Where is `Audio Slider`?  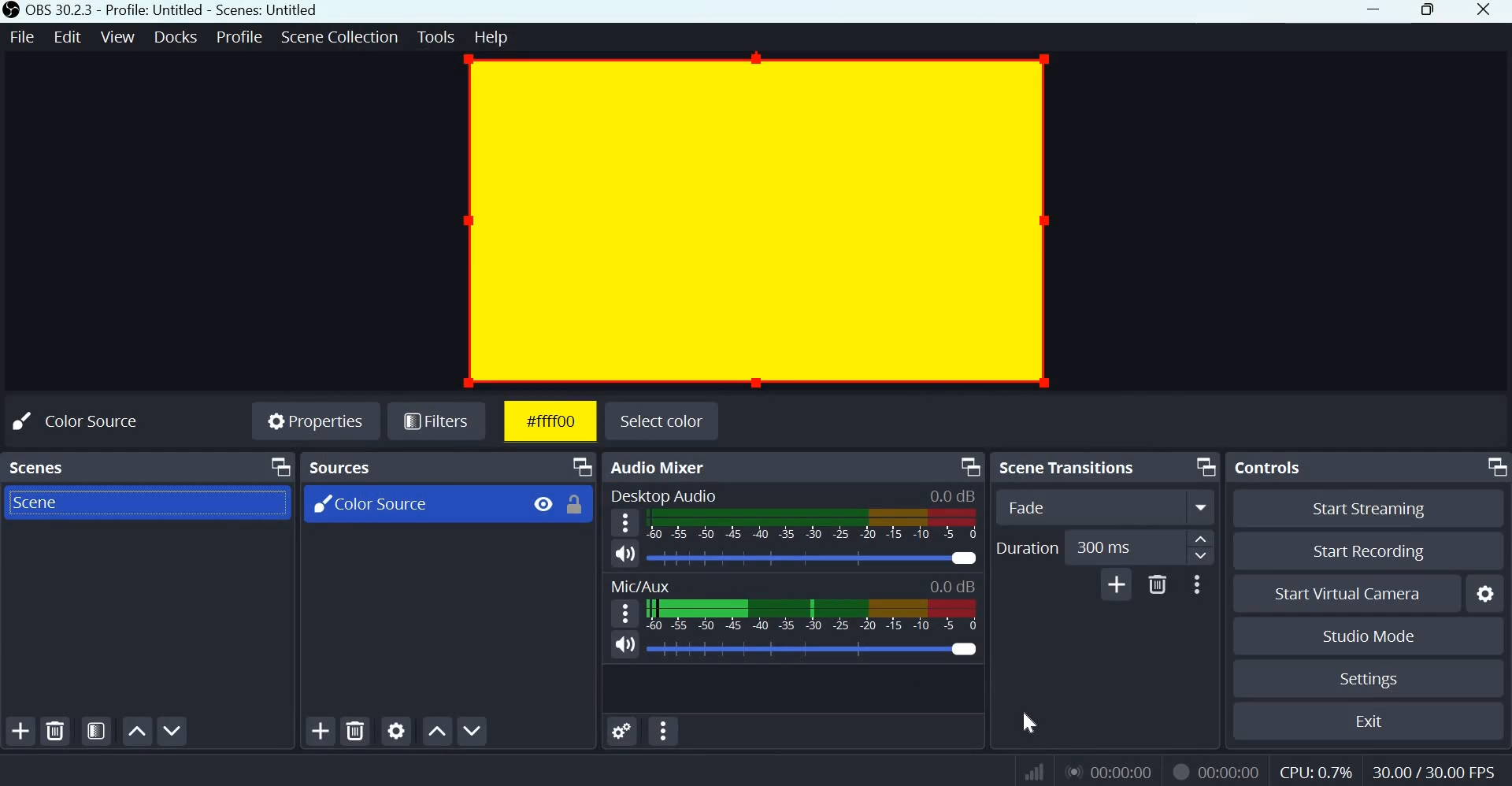
Audio Slider is located at coordinates (965, 557).